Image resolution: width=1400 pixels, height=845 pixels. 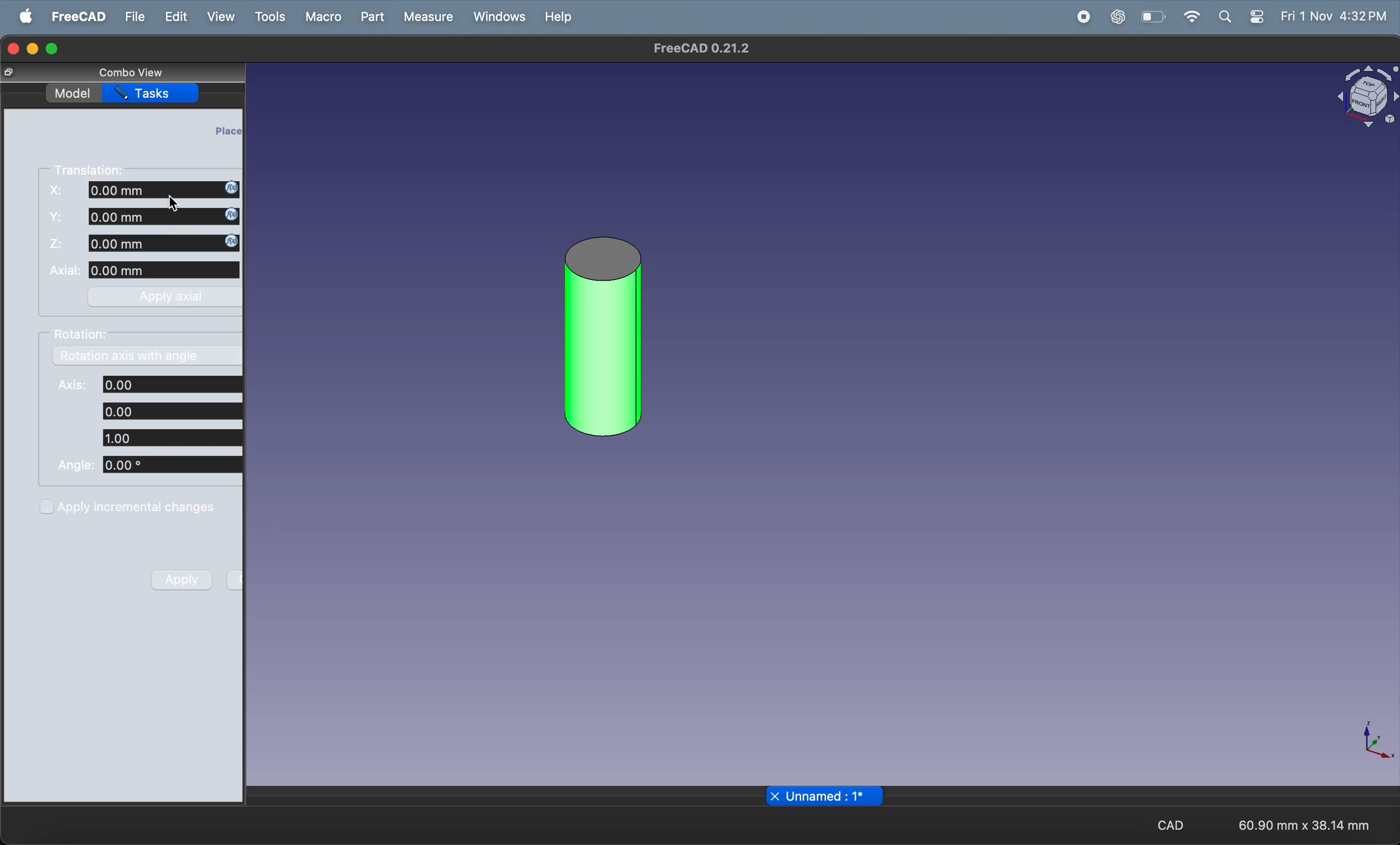 I want to click on freecad, so click(x=74, y=16).